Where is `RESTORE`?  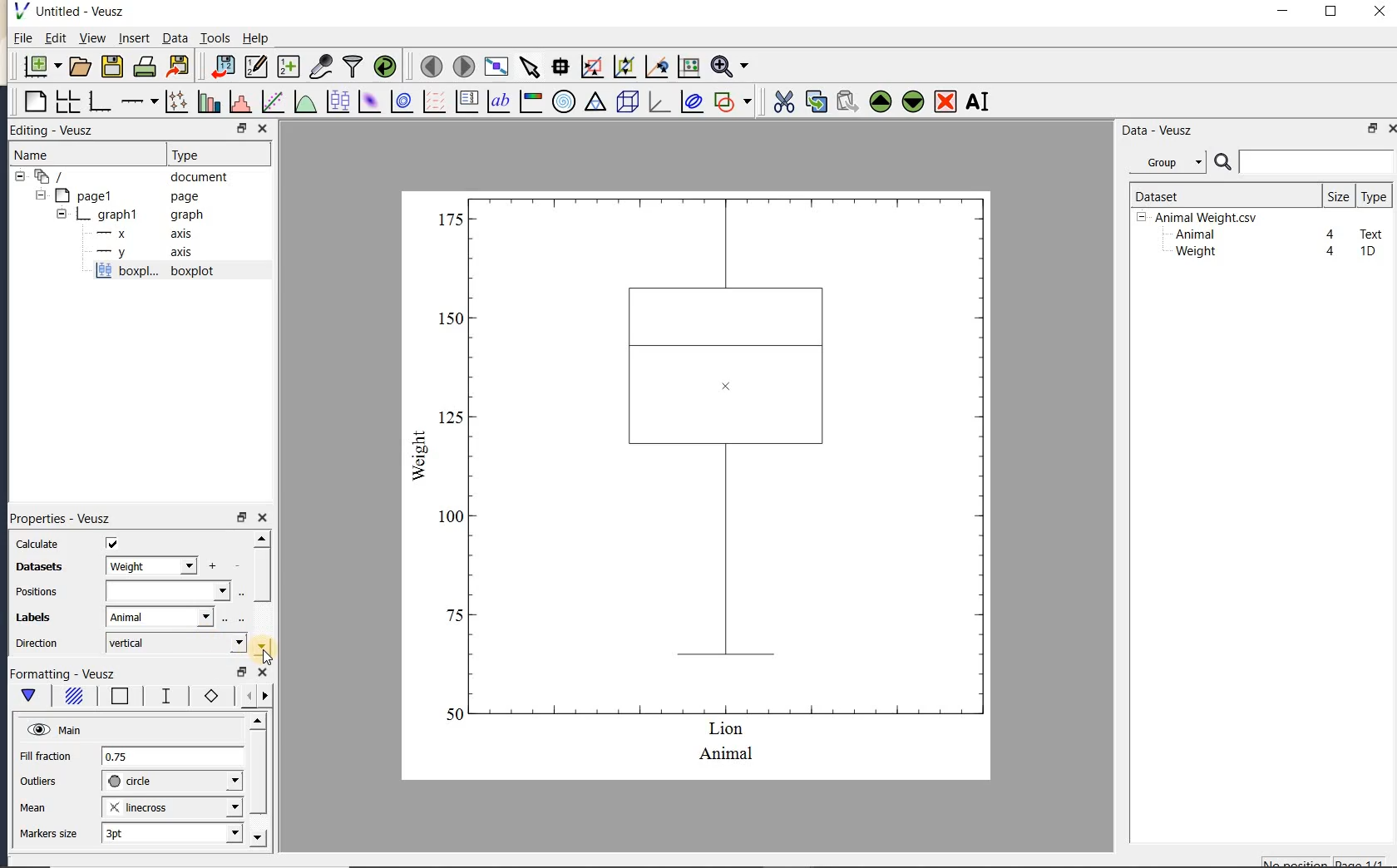 RESTORE is located at coordinates (239, 126).